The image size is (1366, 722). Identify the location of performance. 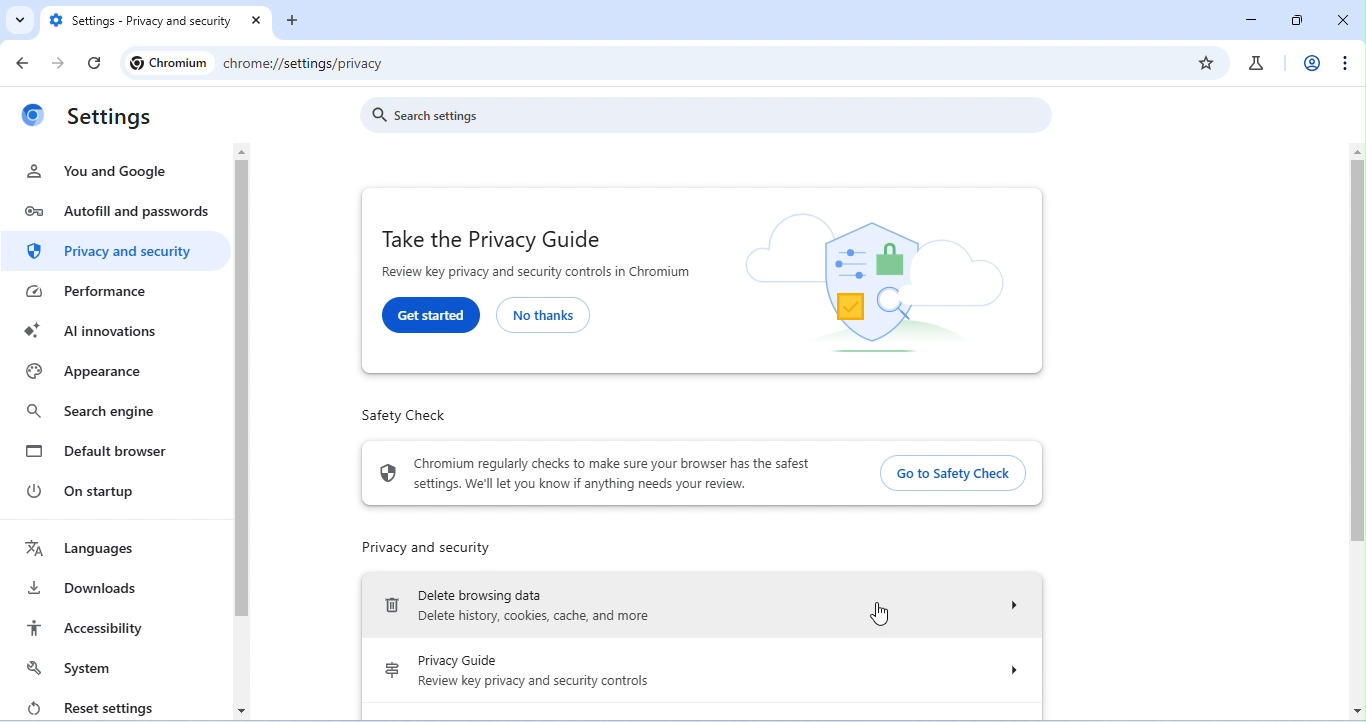
(101, 292).